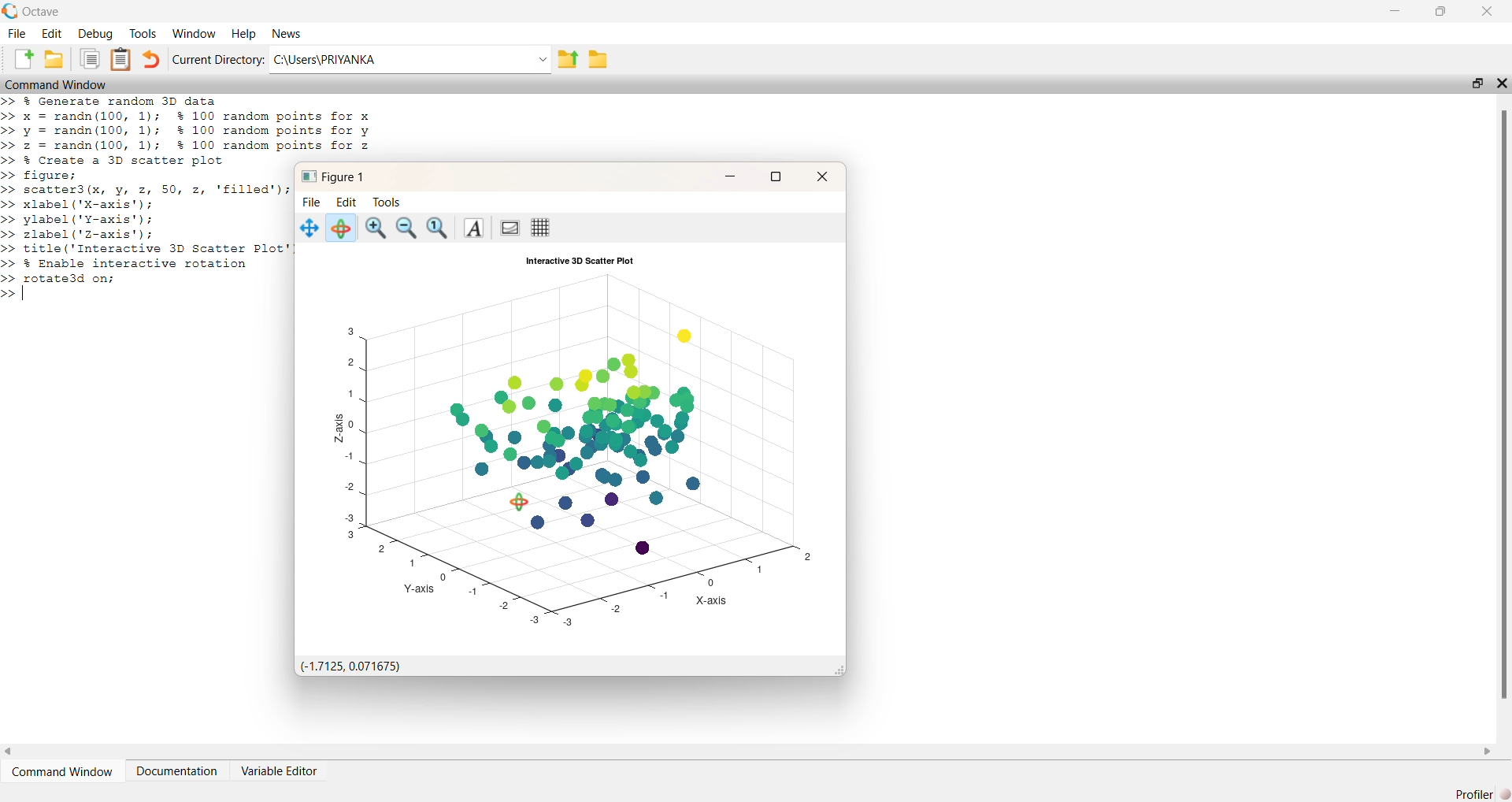 This screenshot has height=802, width=1512. What do you see at coordinates (10, 11) in the screenshot?
I see `logo` at bounding box center [10, 11].